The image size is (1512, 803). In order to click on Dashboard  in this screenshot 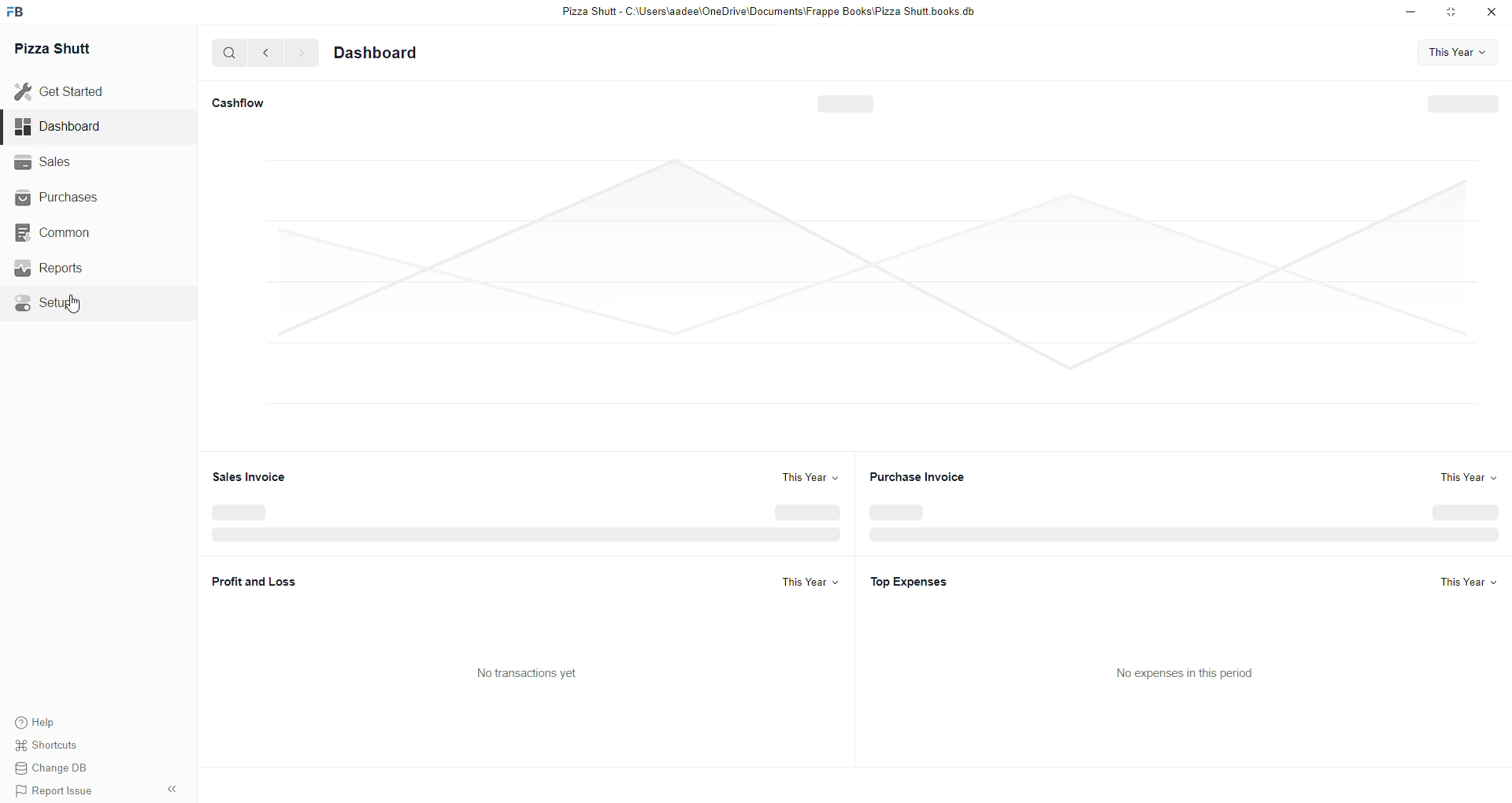, I will do `click(69, 128)`.